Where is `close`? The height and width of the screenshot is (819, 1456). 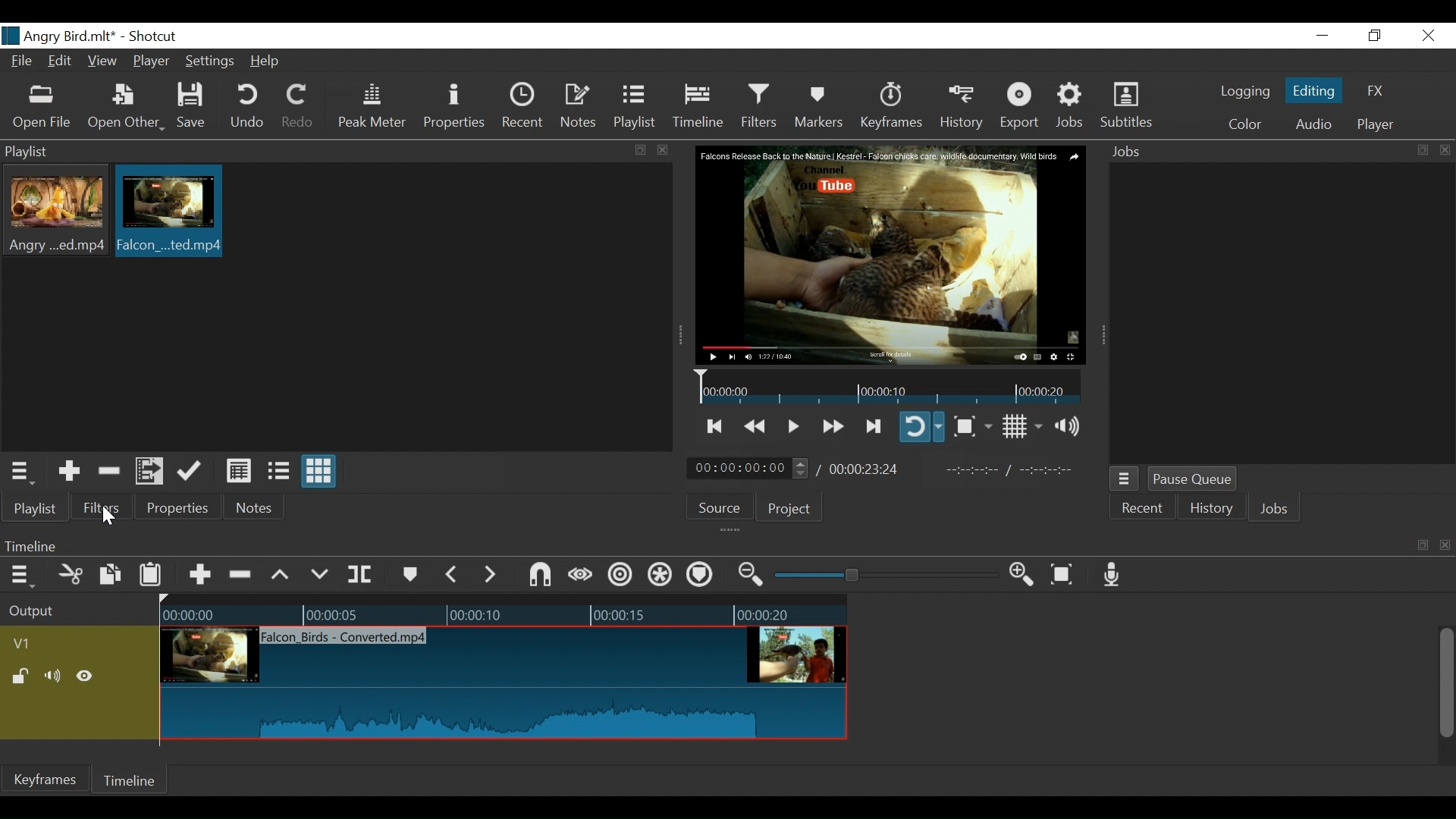
close is located at coordinates (1447, 546).